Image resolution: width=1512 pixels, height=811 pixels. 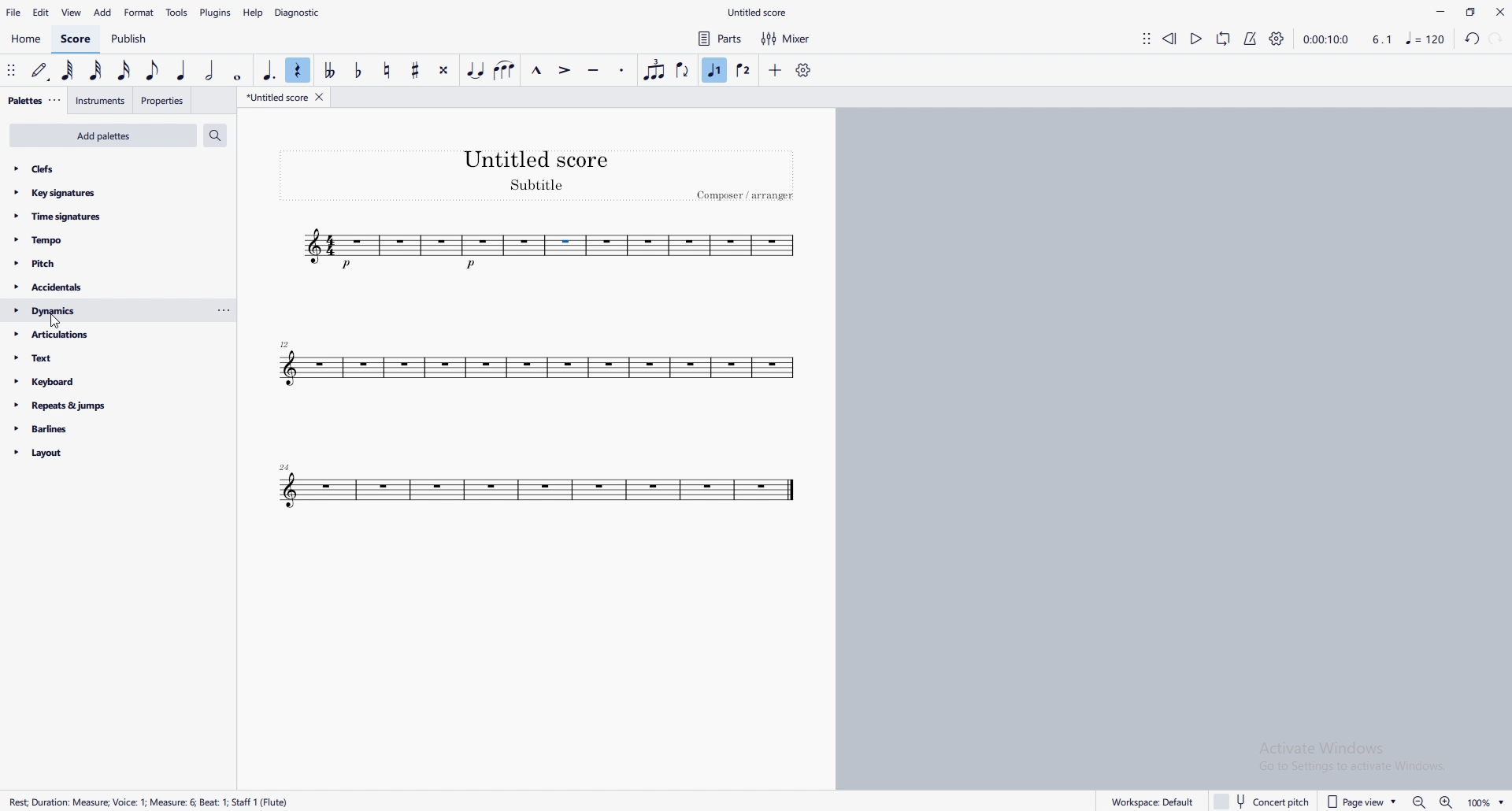 I want to click on barlines, so click(x=98, y=429).